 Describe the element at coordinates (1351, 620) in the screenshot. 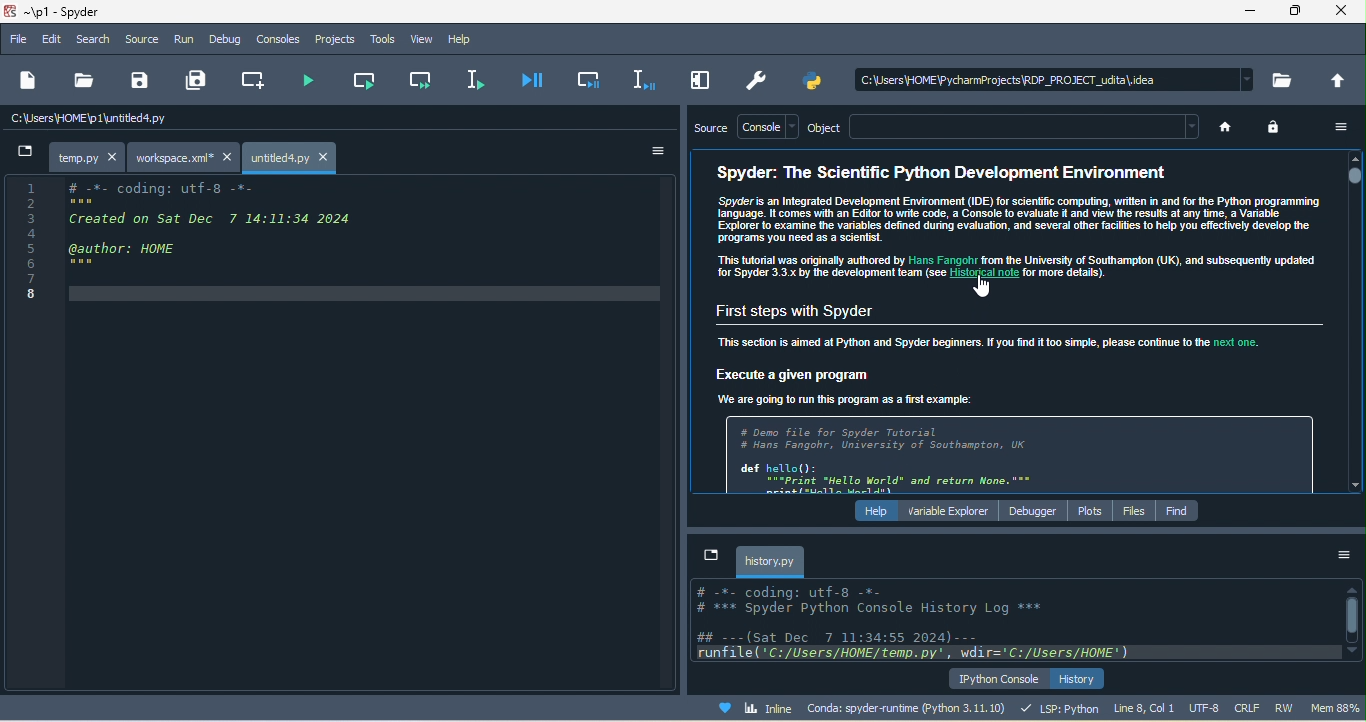

I see `vertical scroll bar` at that location.